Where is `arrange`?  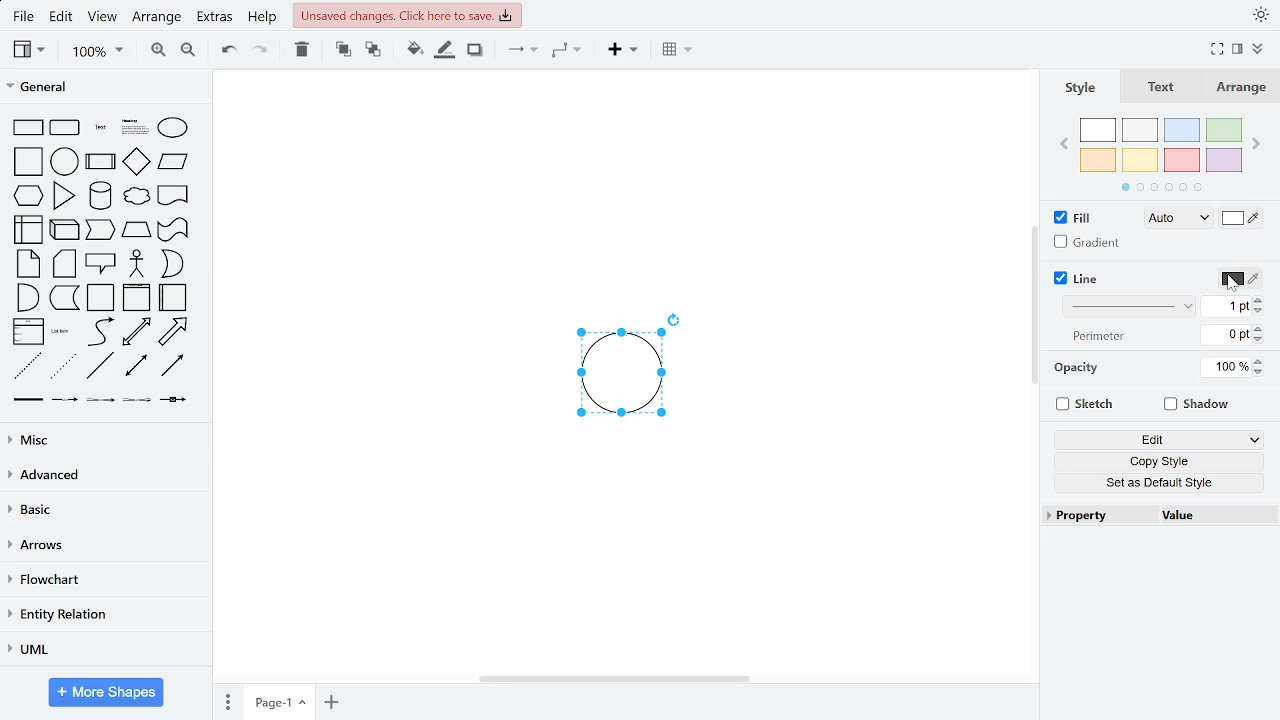
arrange is located at coordinates (1242, 89).